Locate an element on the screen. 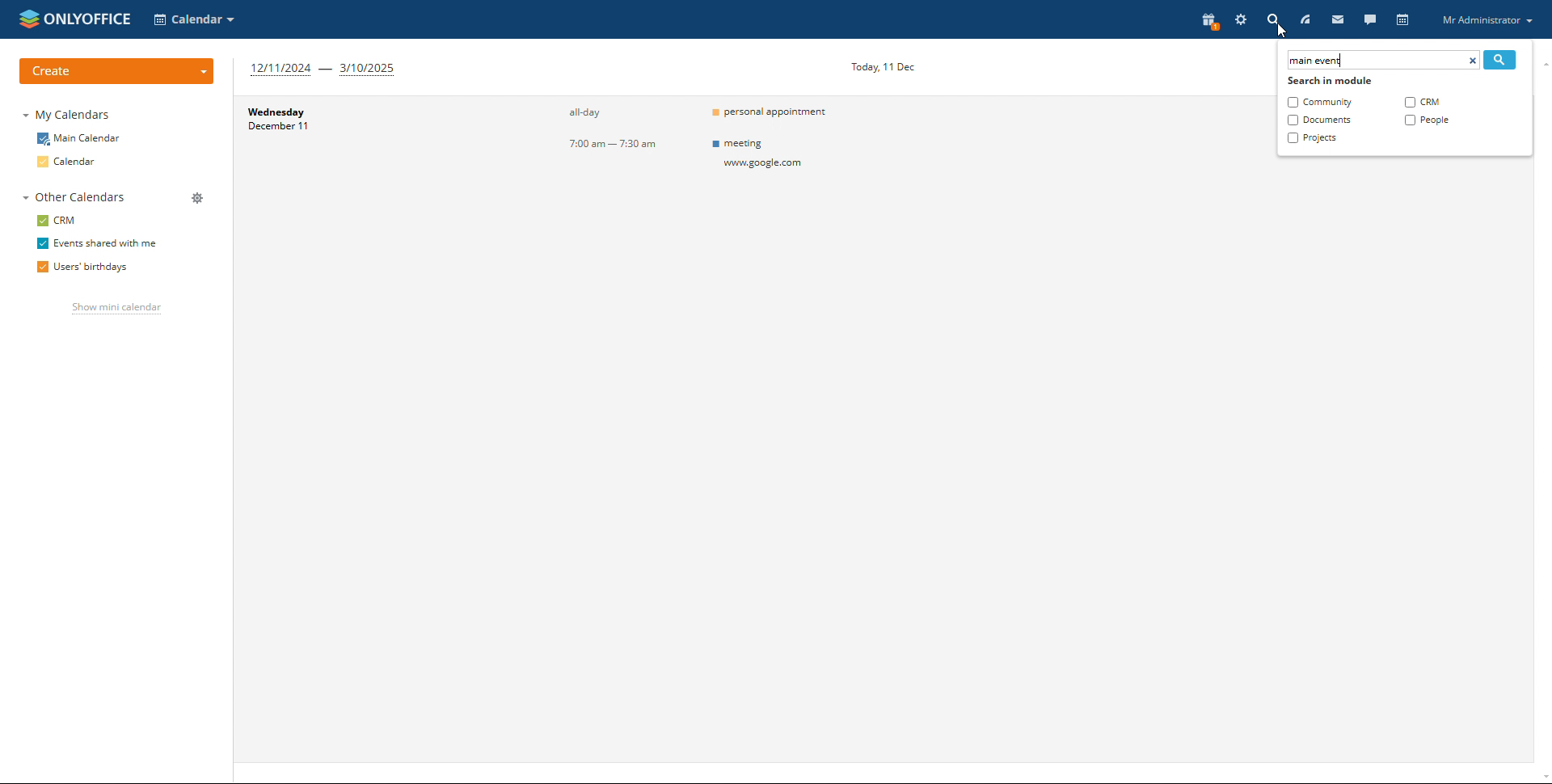 The width and height of the screenshot is (1552, 784). calendar is located at coordinates (70, 162).